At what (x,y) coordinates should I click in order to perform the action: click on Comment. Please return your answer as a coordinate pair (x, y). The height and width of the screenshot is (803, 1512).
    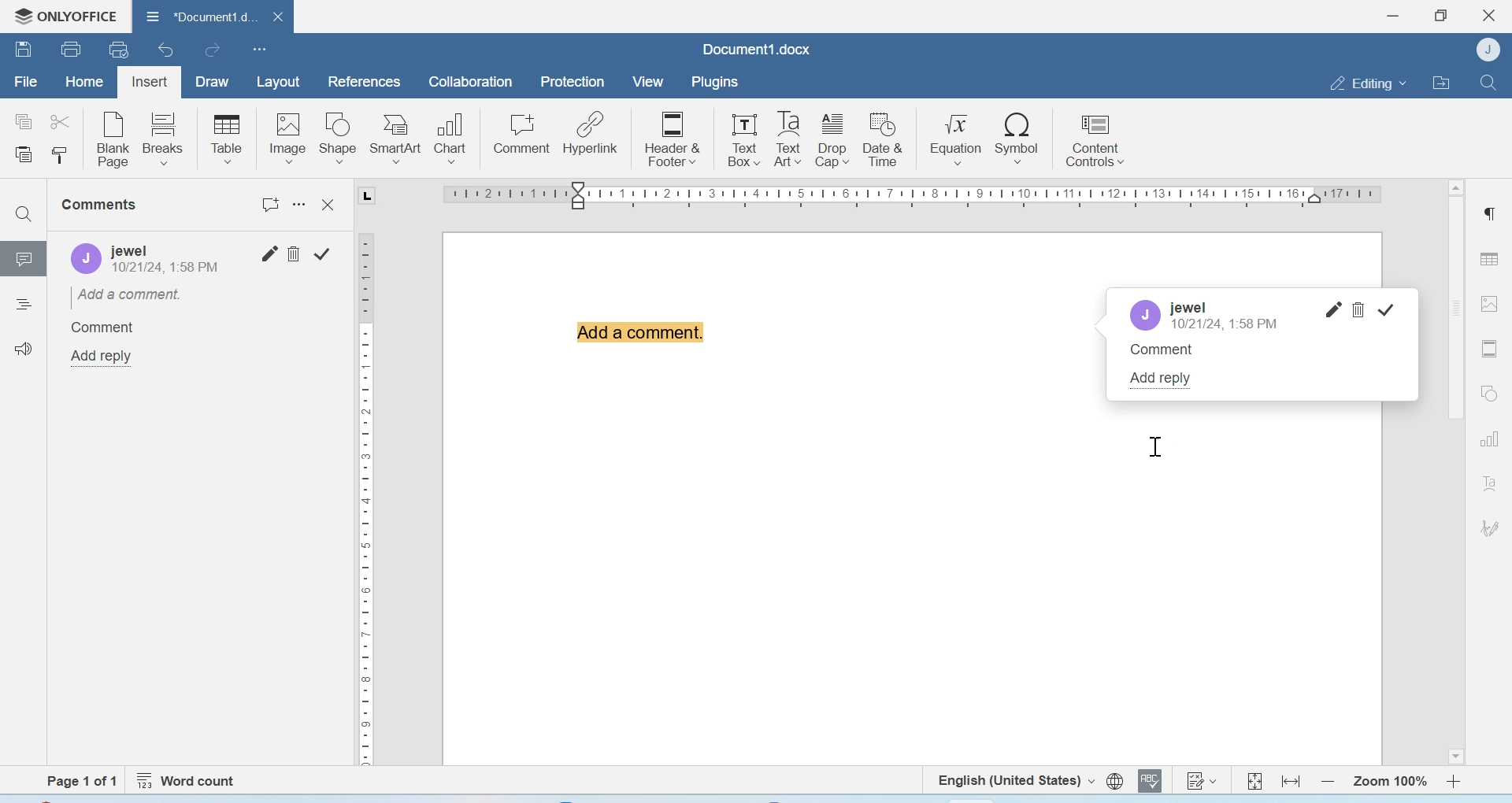
    Looking at the image, I should click on (522, 134).